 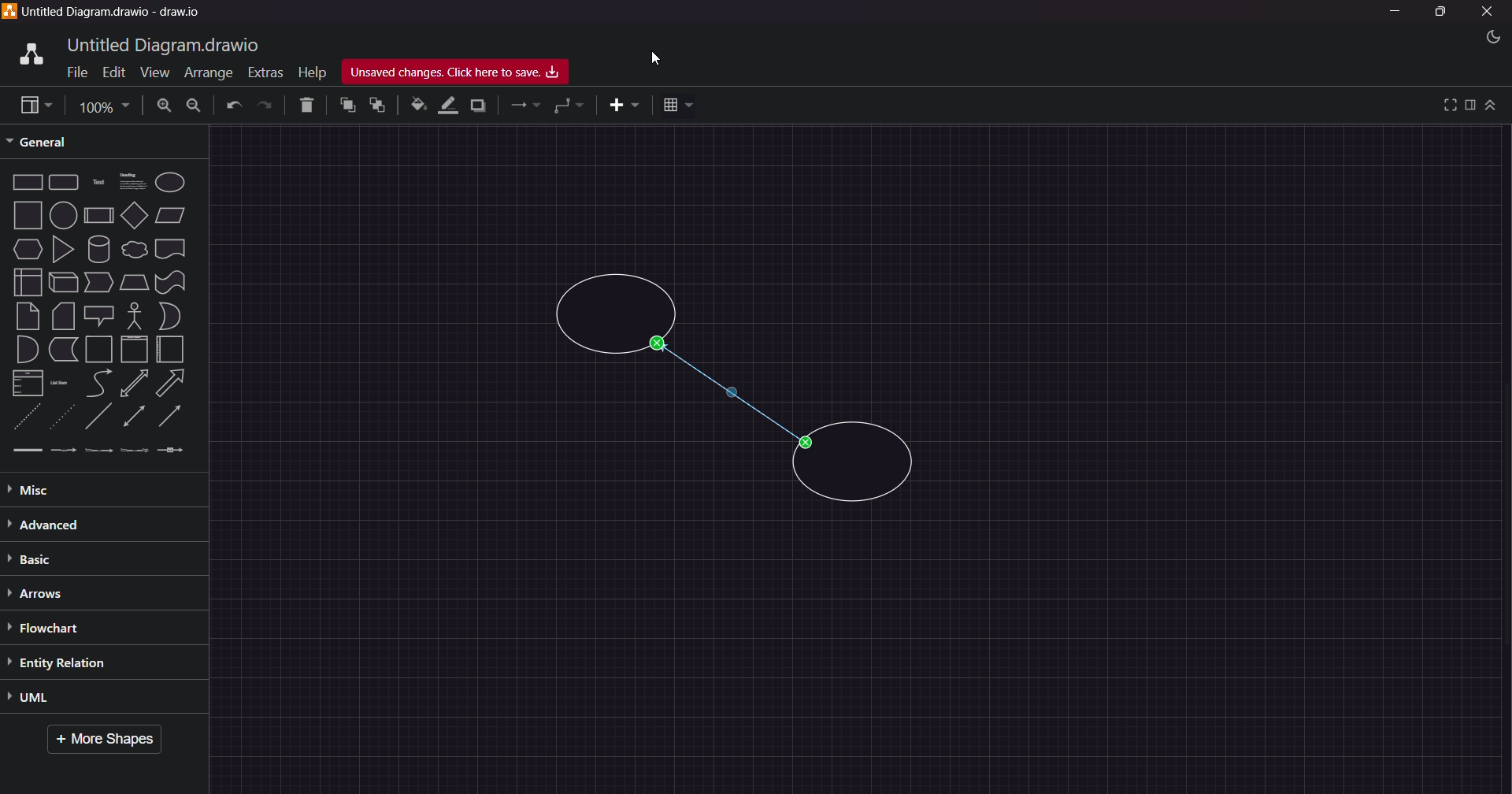 What do you see at coordinates (50, 141) in the screenshot?
I see `General` at bounding box center [50, 141].